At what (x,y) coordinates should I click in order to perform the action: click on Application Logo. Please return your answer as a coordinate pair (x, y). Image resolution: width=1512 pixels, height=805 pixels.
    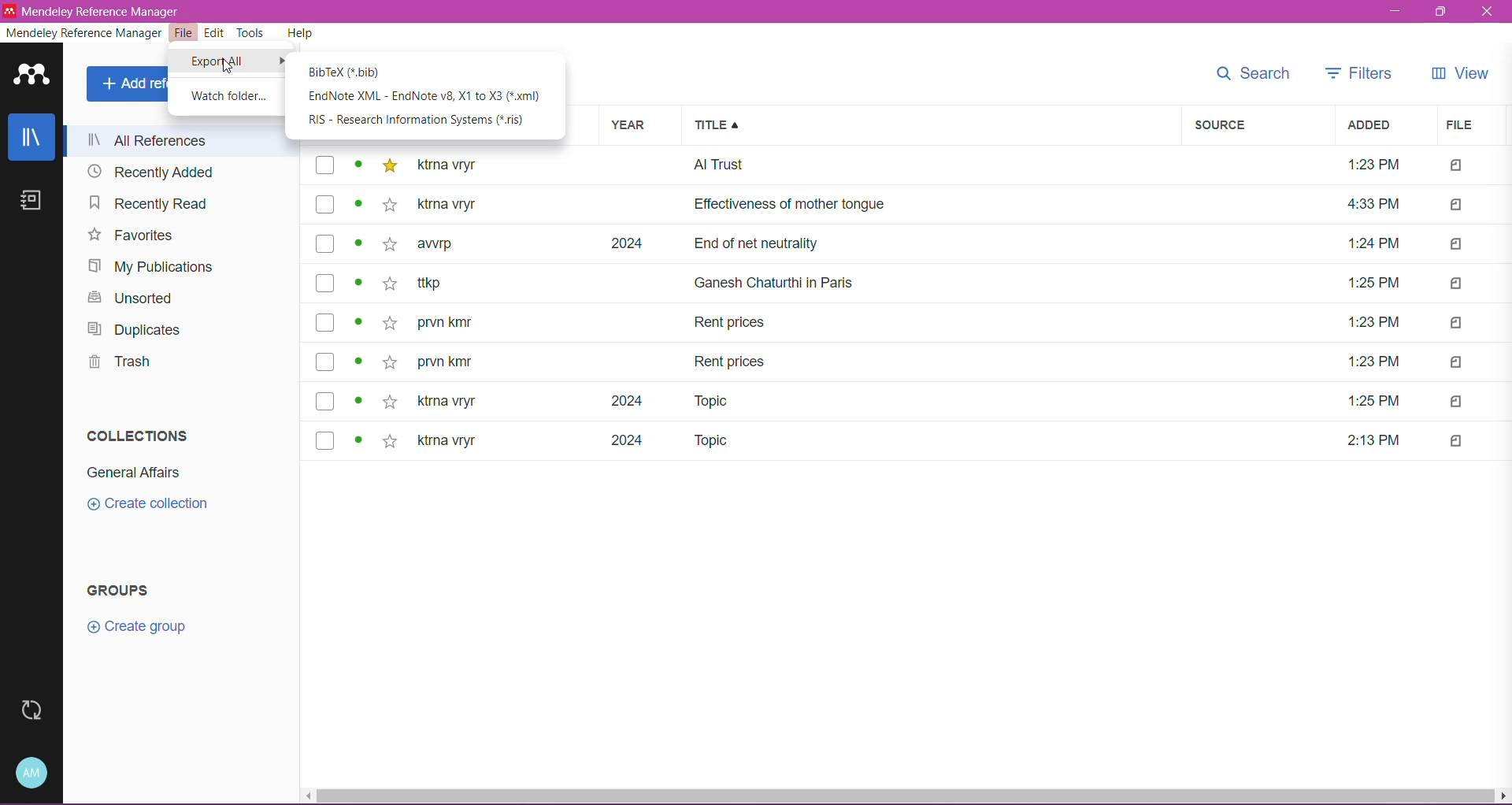
    Looking at the image, I should click on (36, 76).